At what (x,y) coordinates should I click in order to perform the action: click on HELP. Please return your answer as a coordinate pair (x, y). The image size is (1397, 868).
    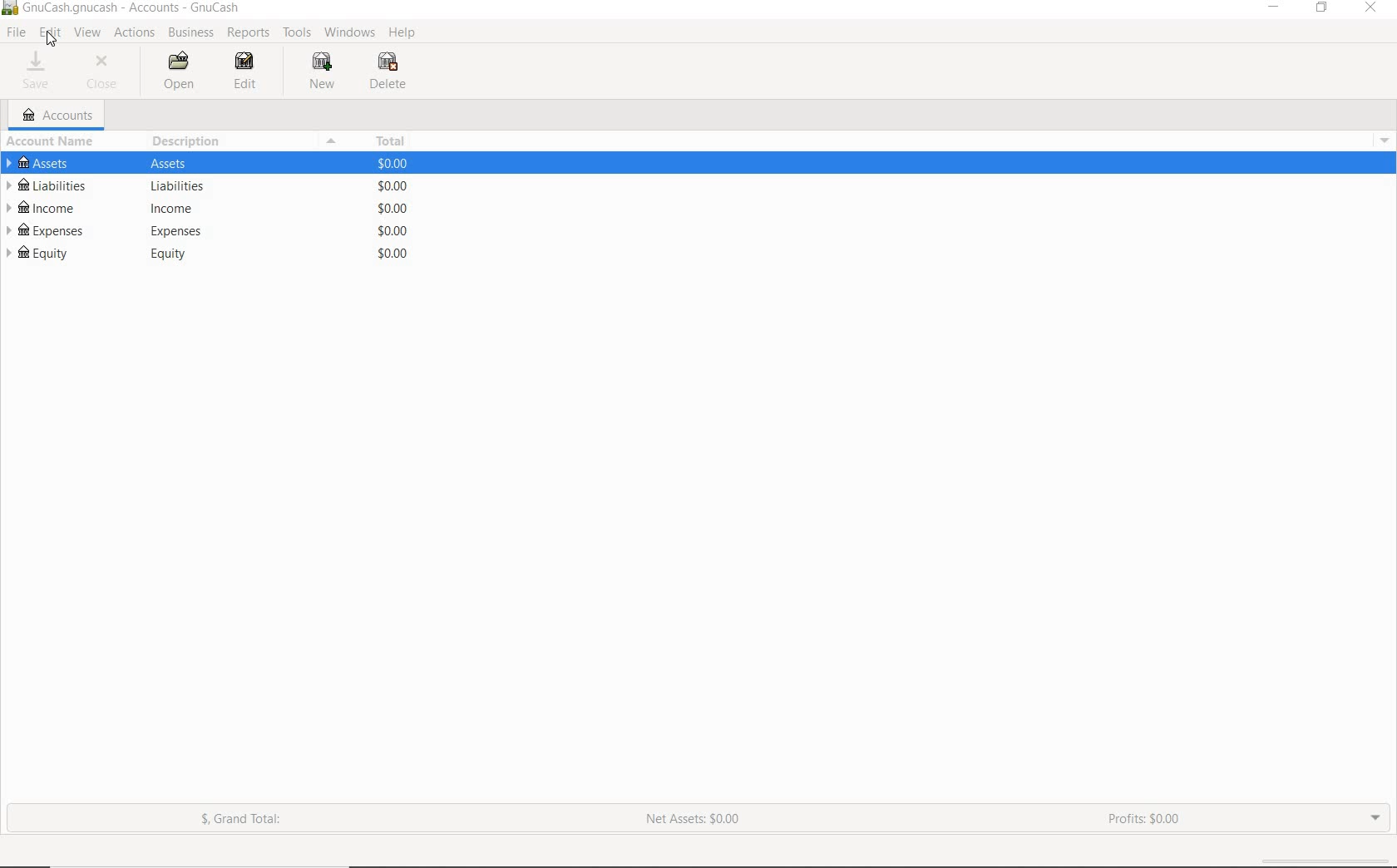
    Looking at the image, I should click on (403, 33).